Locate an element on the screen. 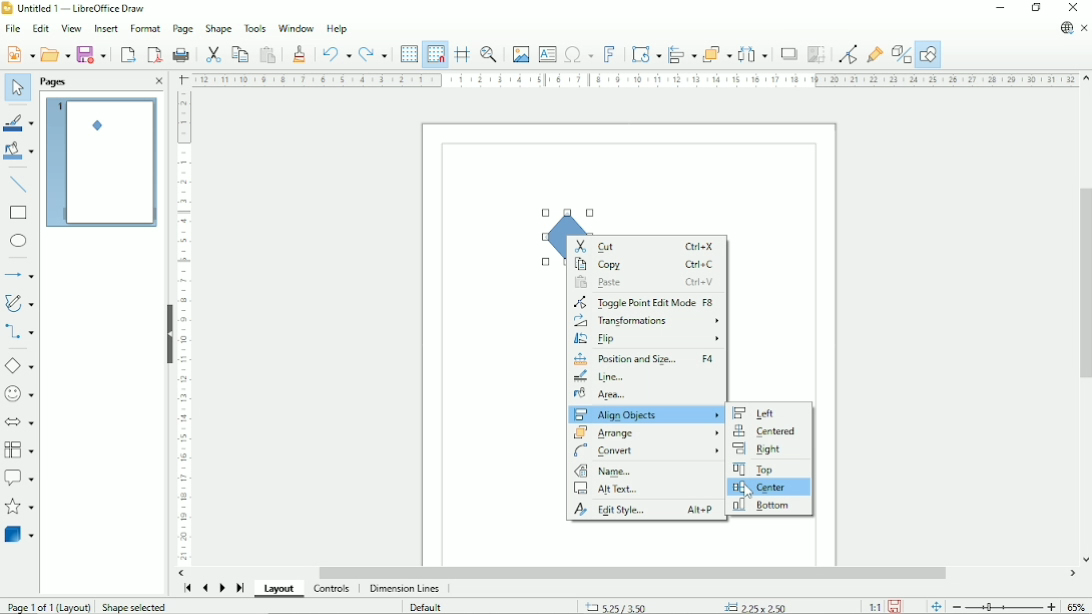 Image resolution: width=1092 pixels, height=614 pixels. Arrange is located at coordinates (645, 432).